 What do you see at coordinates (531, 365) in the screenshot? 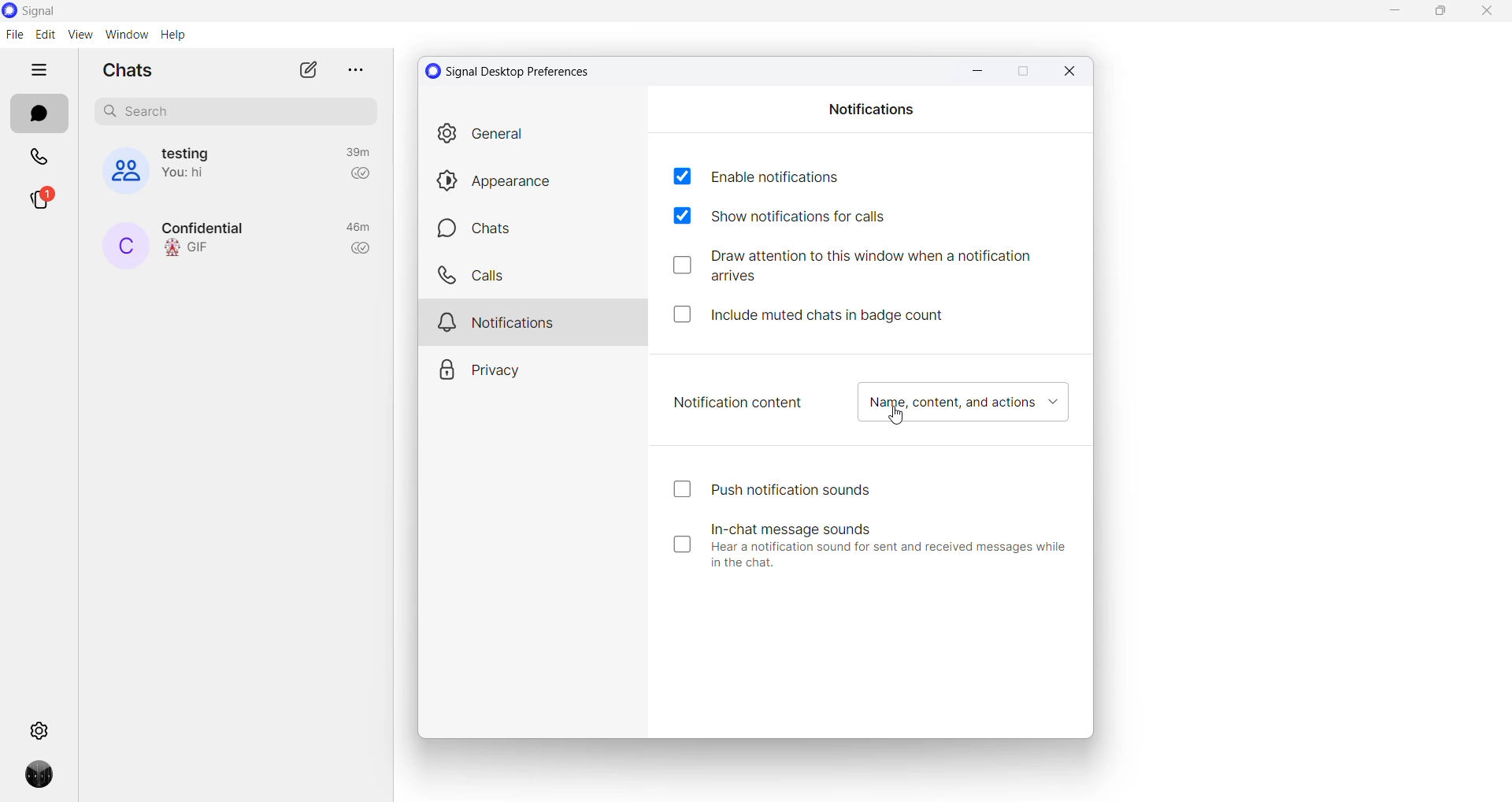
I see `privacy` at bounding box center [531, 365].